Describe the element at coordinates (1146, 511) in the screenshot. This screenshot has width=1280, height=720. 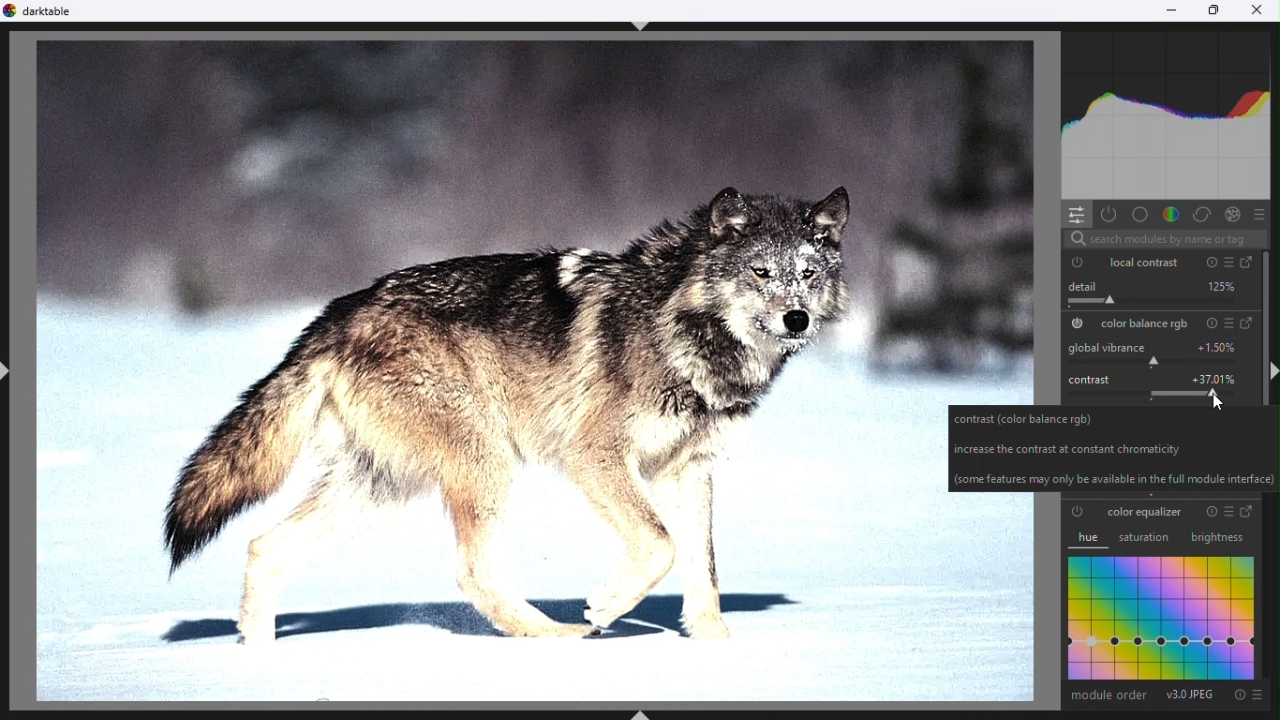
I see `color equalizer` at that location.